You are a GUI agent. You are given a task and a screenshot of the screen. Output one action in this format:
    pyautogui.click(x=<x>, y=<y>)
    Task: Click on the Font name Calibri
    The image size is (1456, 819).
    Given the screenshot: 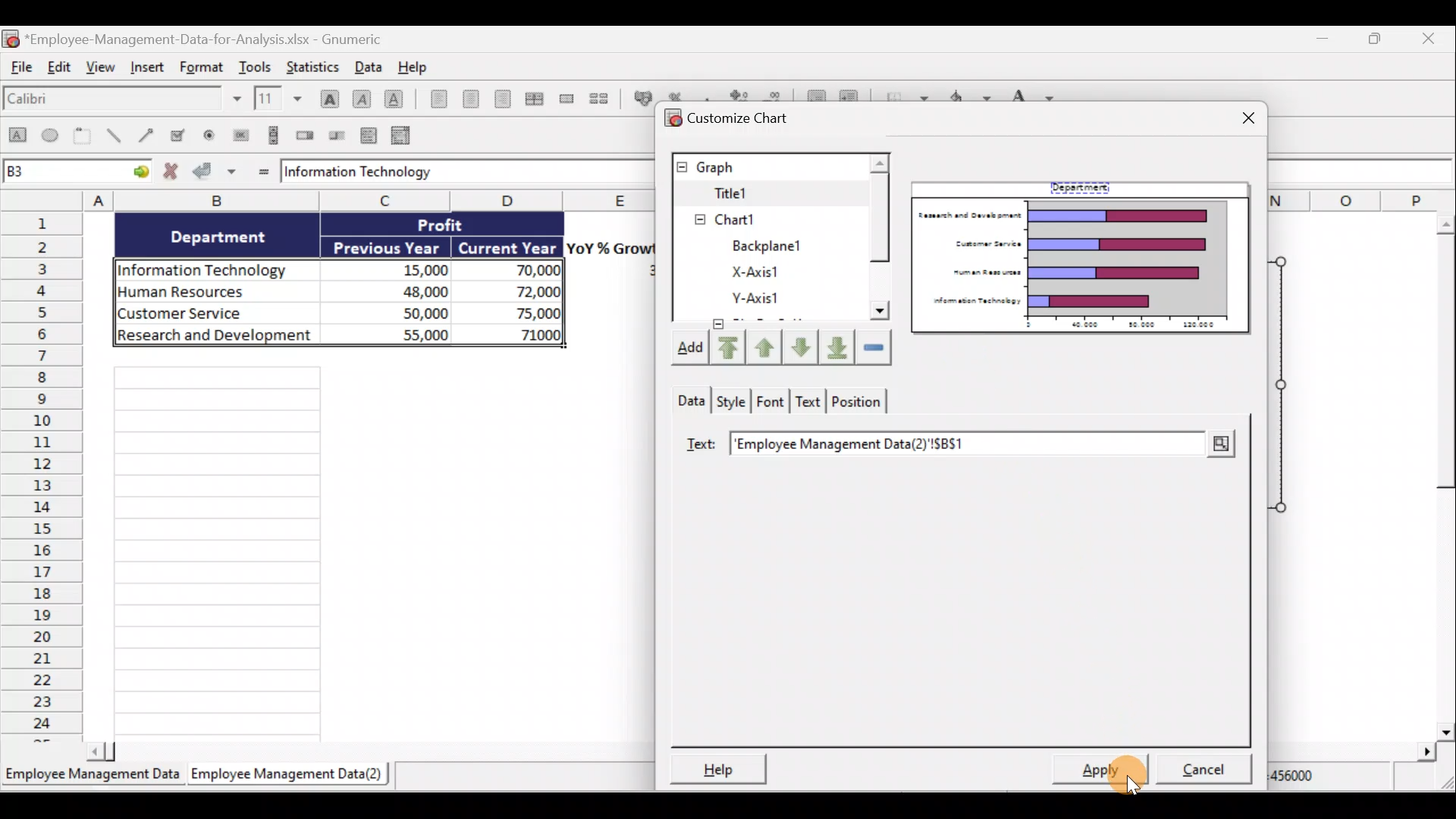 What is the action you would take?
    pyautogui.click(x=121, y=102)
    